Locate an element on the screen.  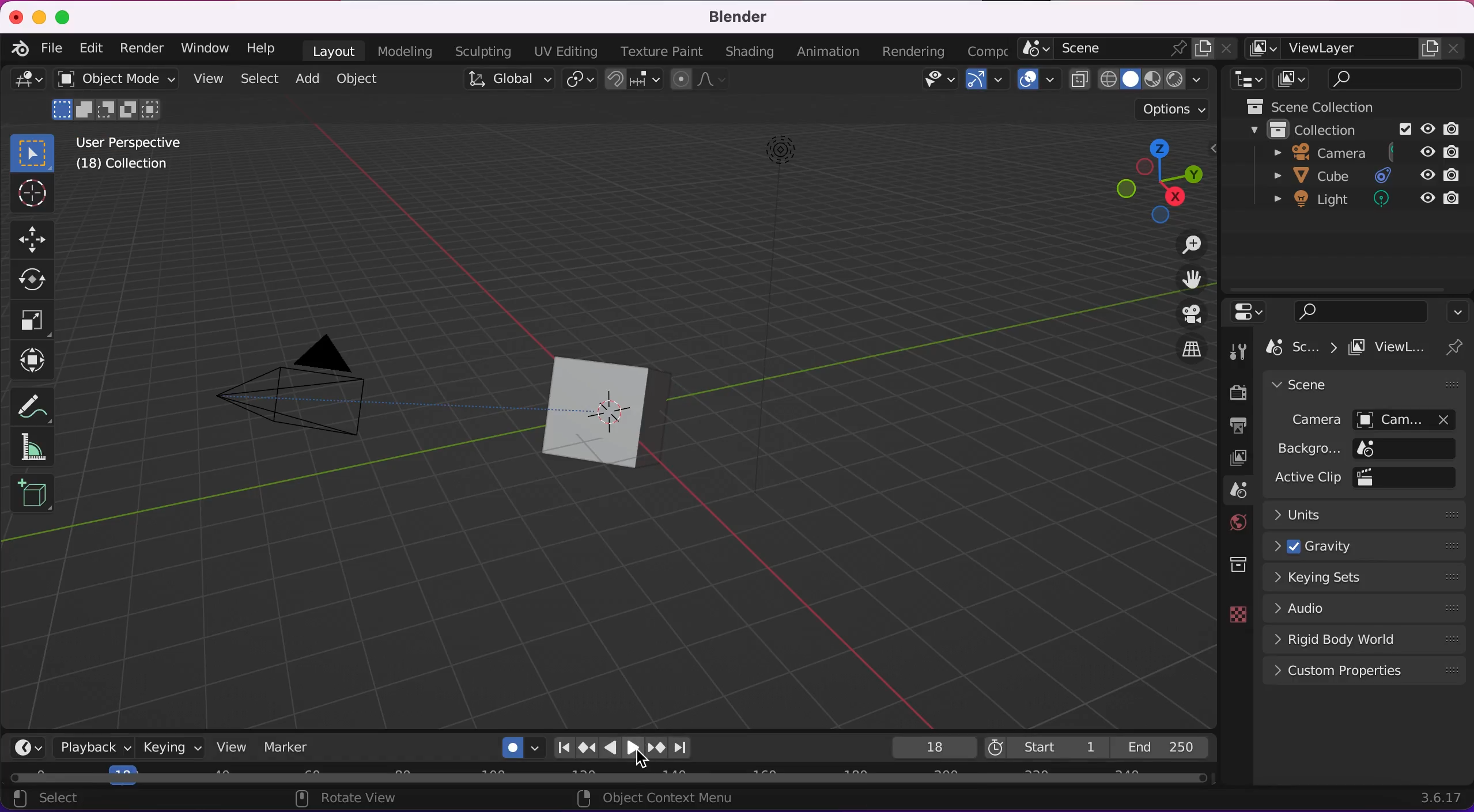
play animation is located at coordinates (632, 749).